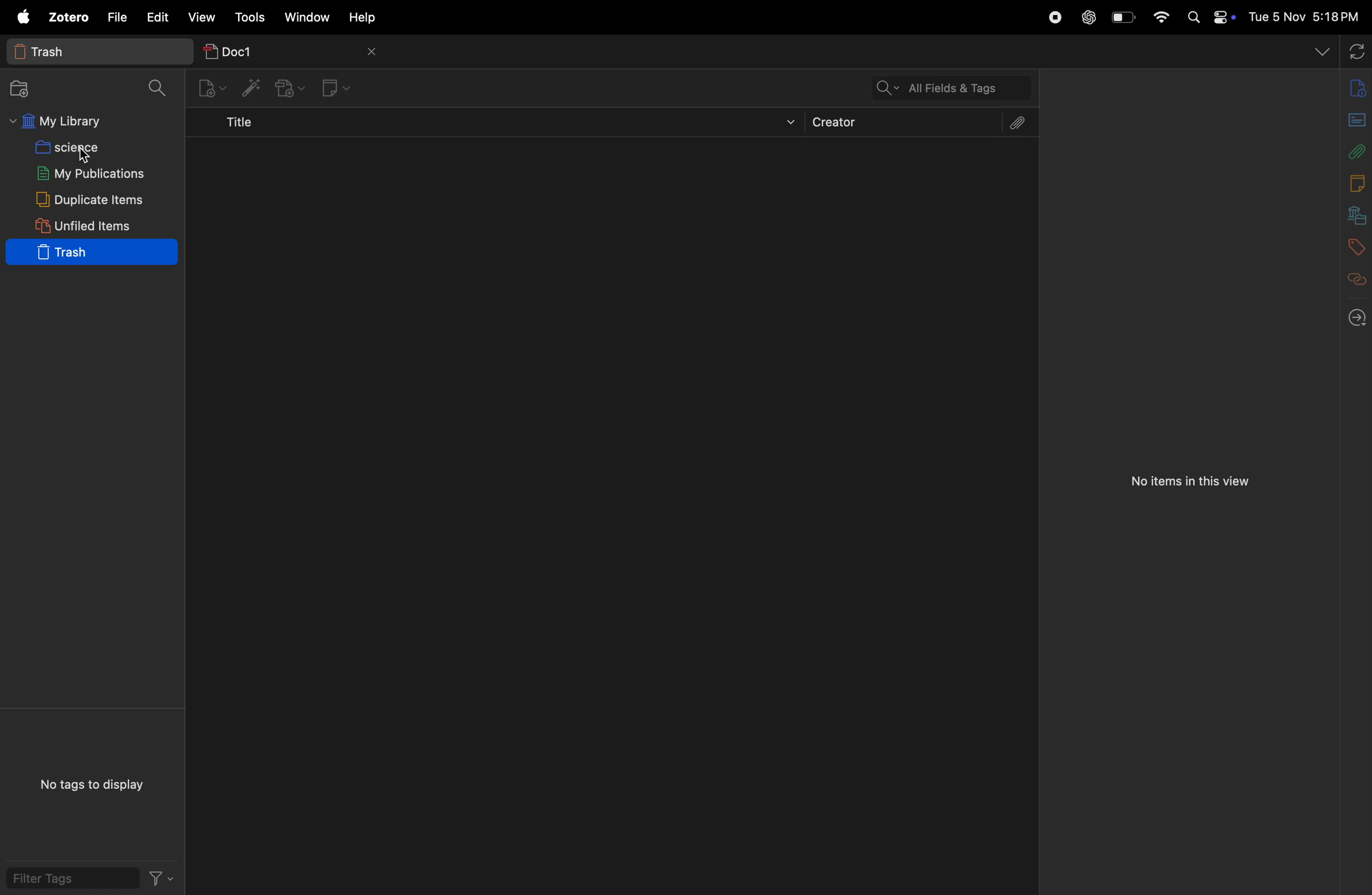 Image resolution: width=1372 pixels, height=895 pixels. What do you see at coordinates (267, 47) in the screenshot?
I see `doc1` at bounding box center [267, 47].